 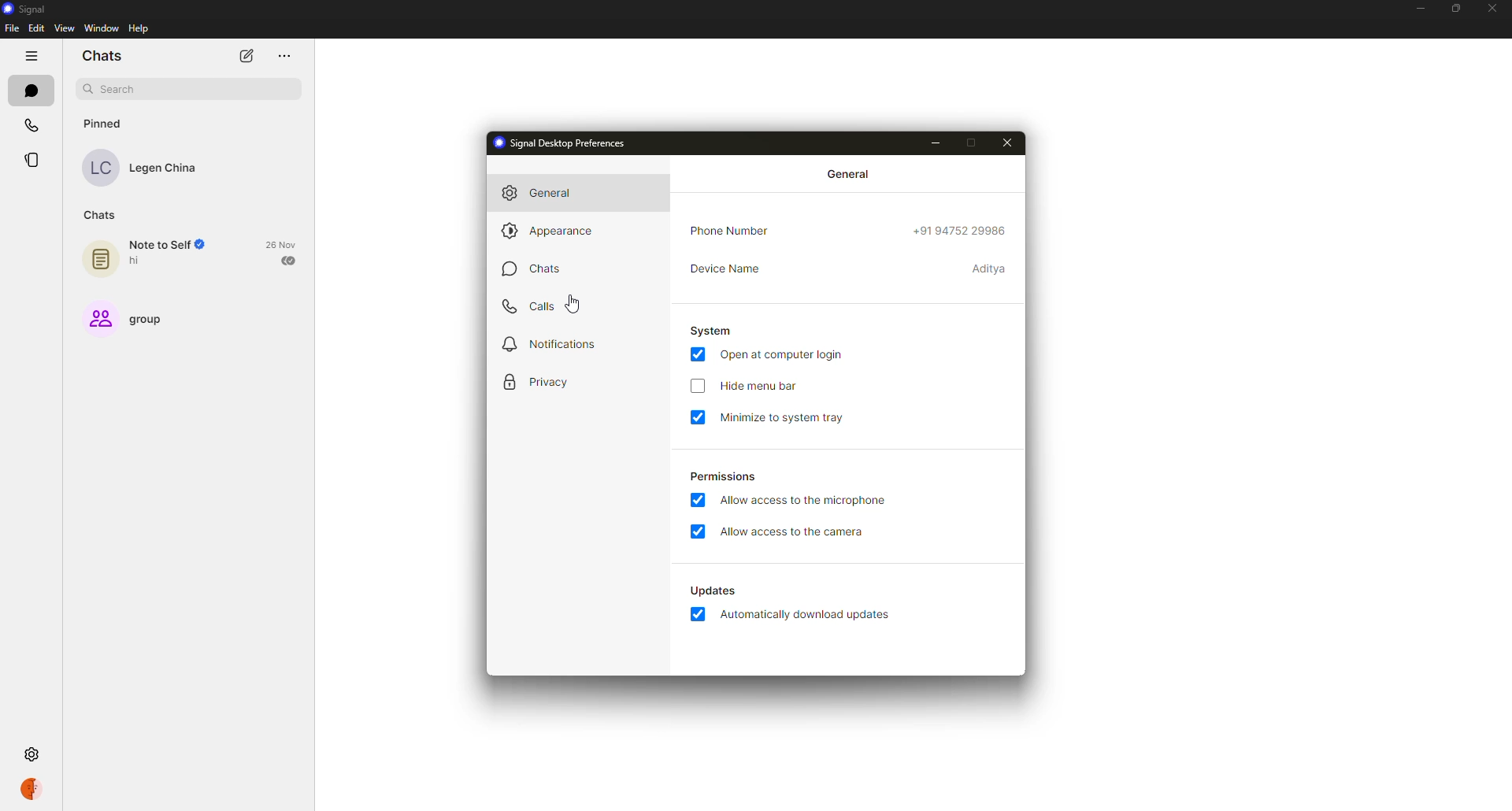 I want to click on hi, so click(x=139, y=261).